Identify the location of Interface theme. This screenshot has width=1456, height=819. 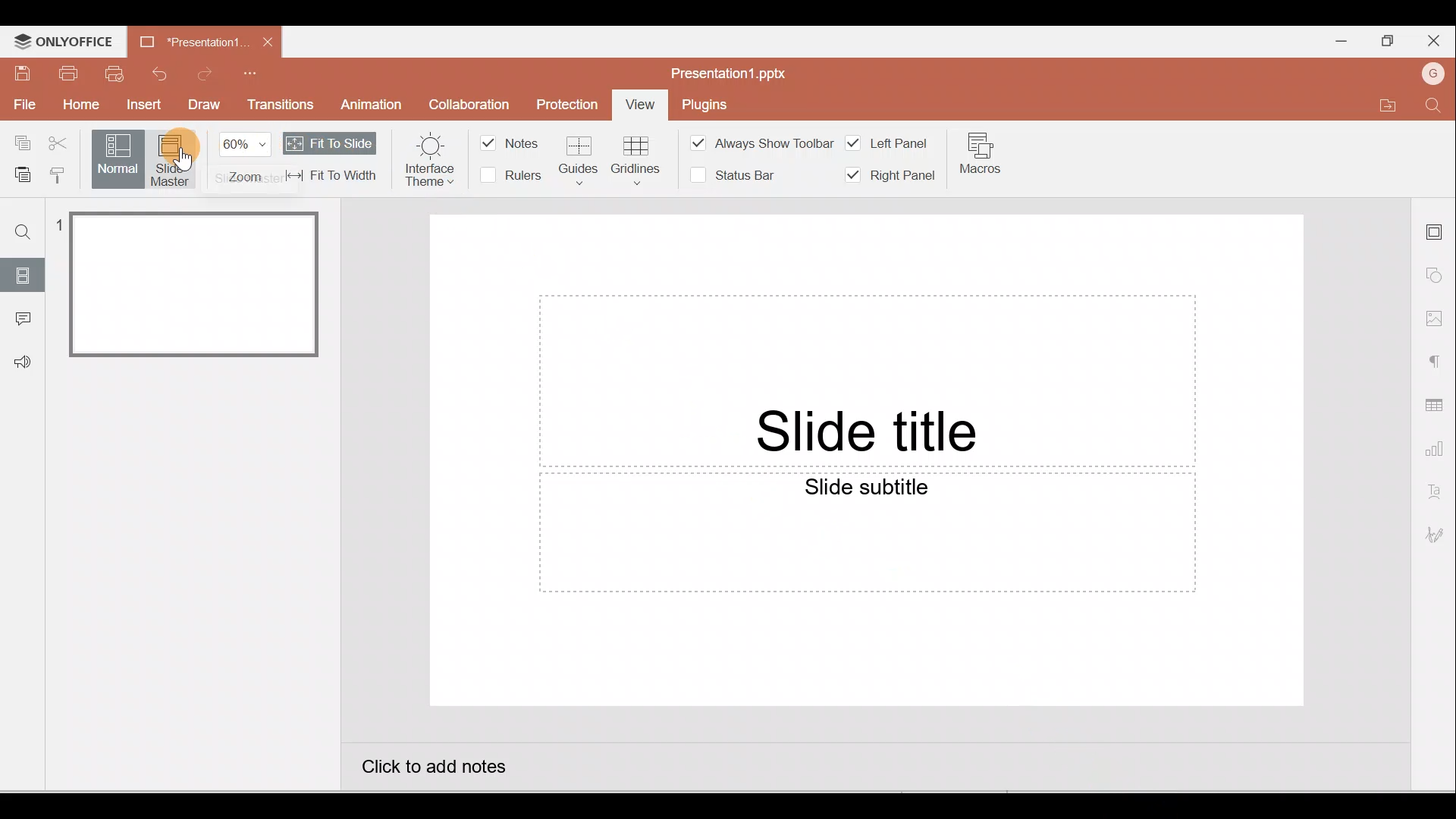
(428, 156).